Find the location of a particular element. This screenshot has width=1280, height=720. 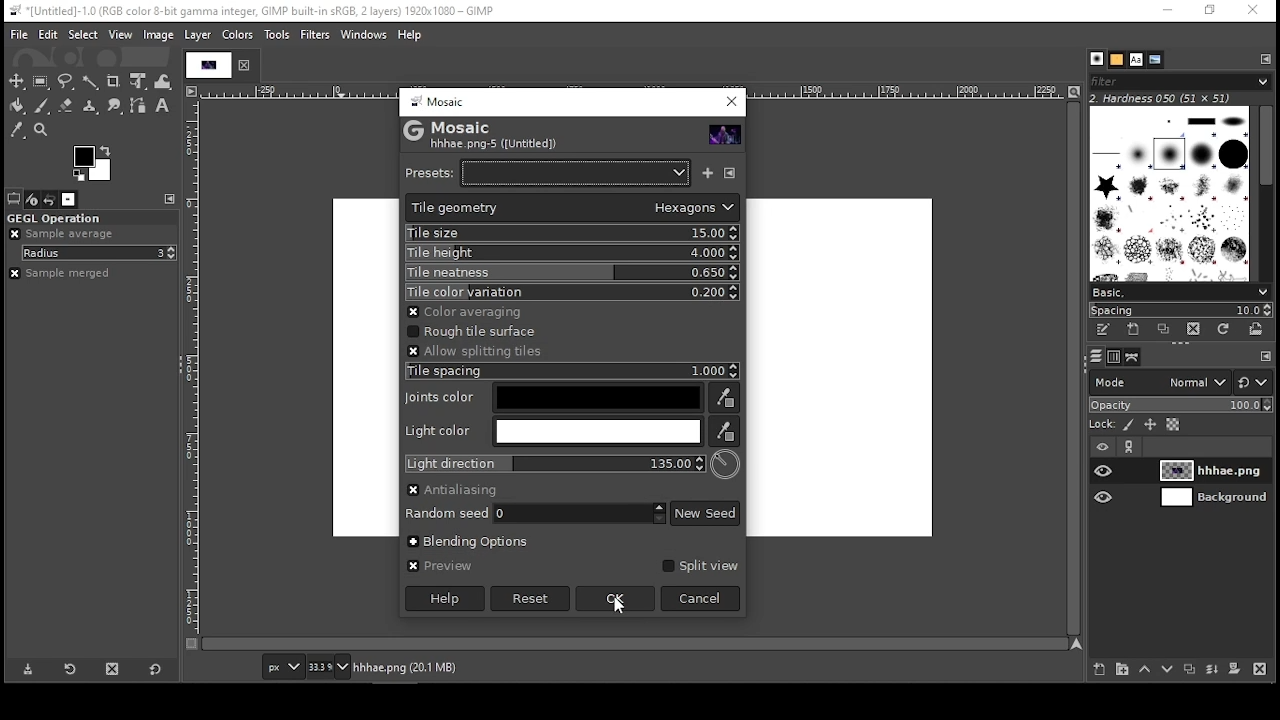

minimize is located at coordinates (1170, 11).